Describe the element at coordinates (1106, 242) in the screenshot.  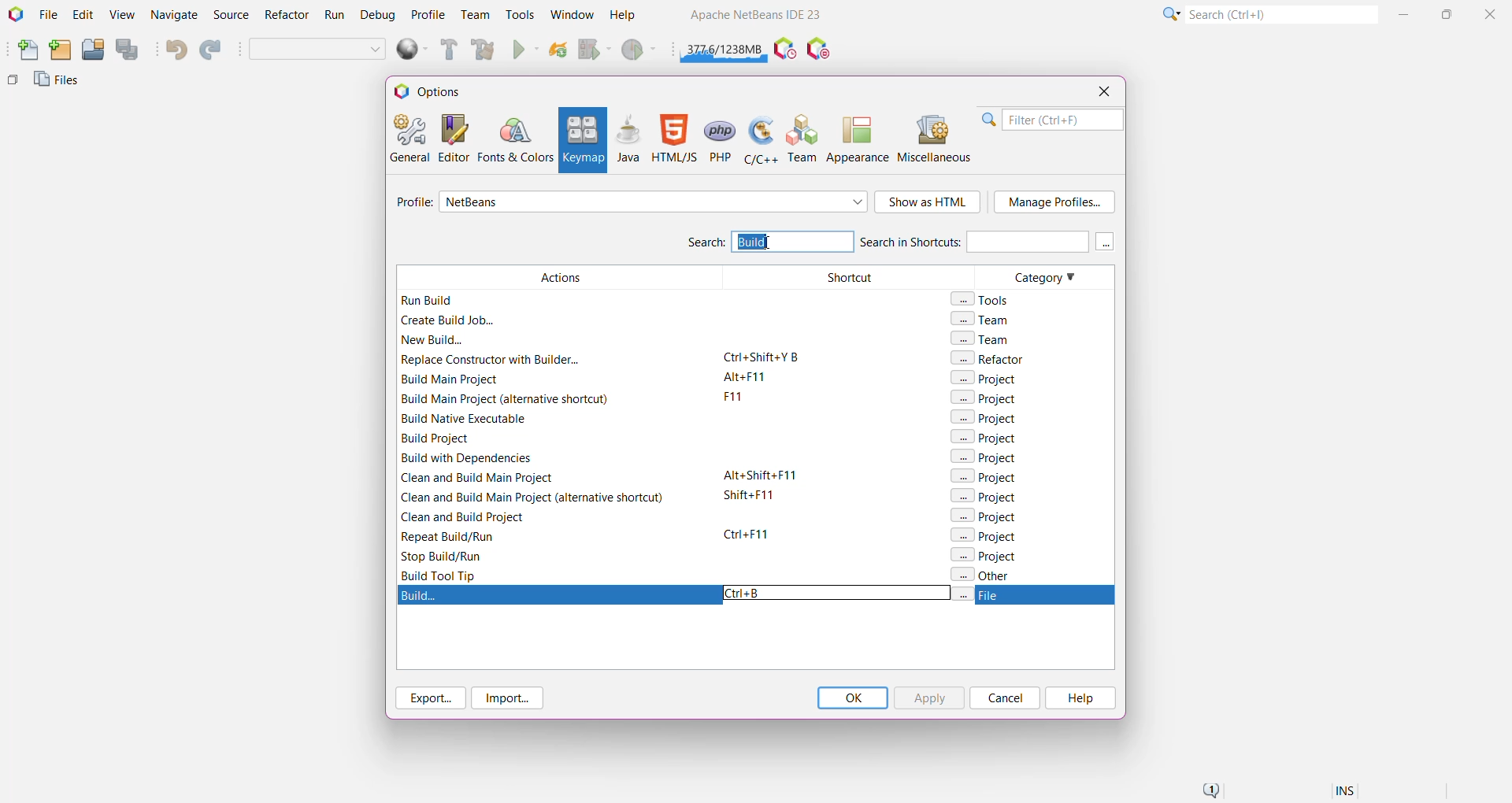
I see `More keys` at that location.